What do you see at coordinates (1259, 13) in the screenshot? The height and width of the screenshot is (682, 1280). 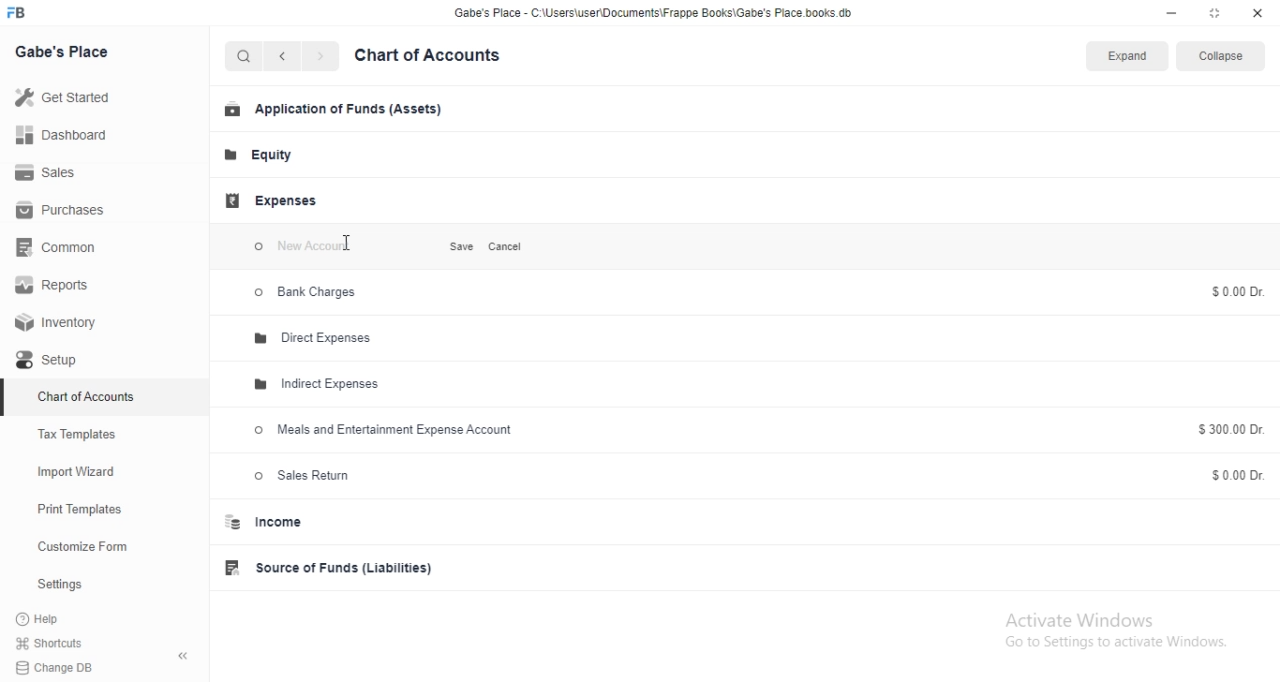 I see `close` at bounding box center [1259, 13].